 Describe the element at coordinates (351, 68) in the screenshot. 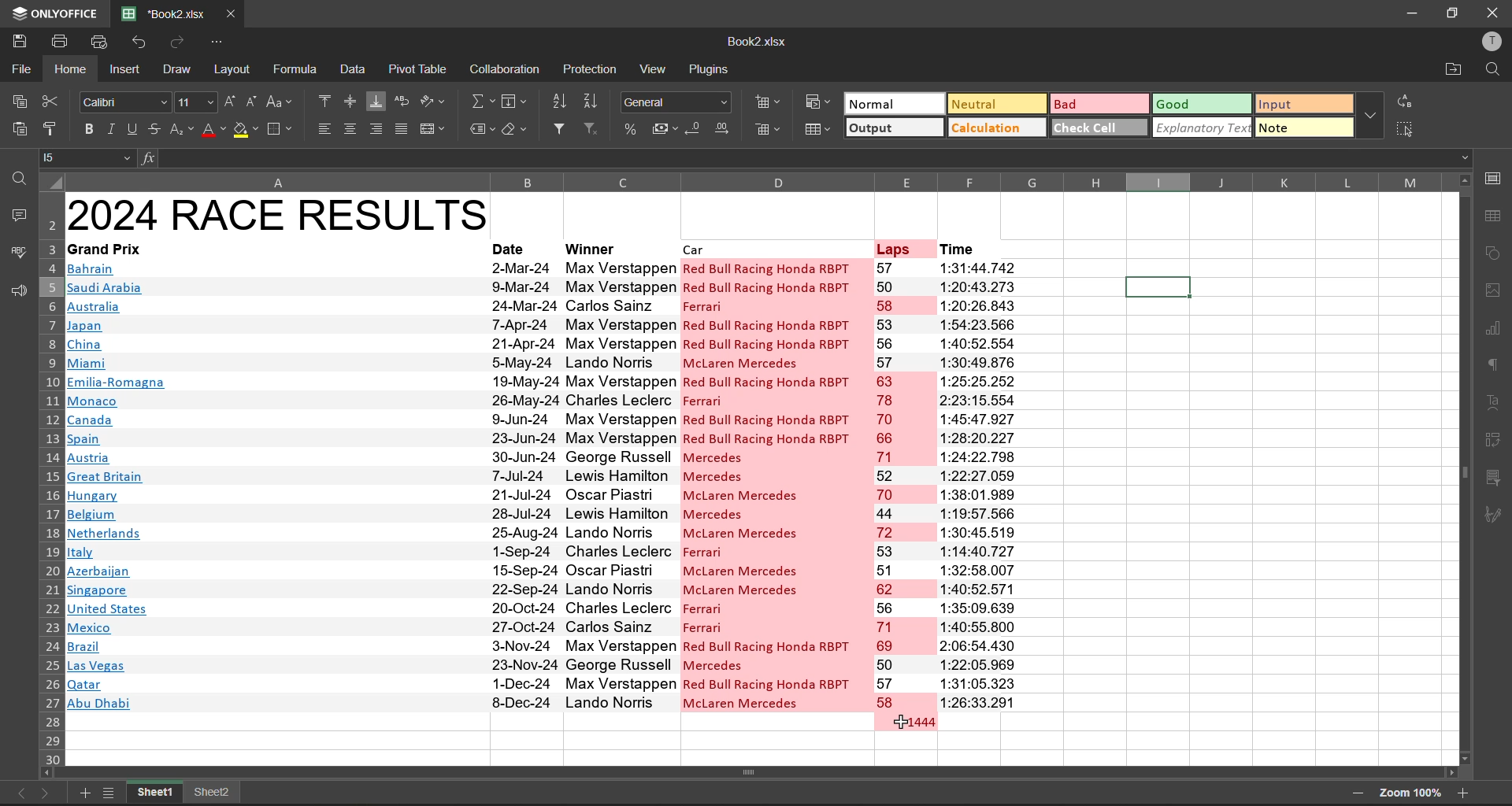

I see `data` at that location.